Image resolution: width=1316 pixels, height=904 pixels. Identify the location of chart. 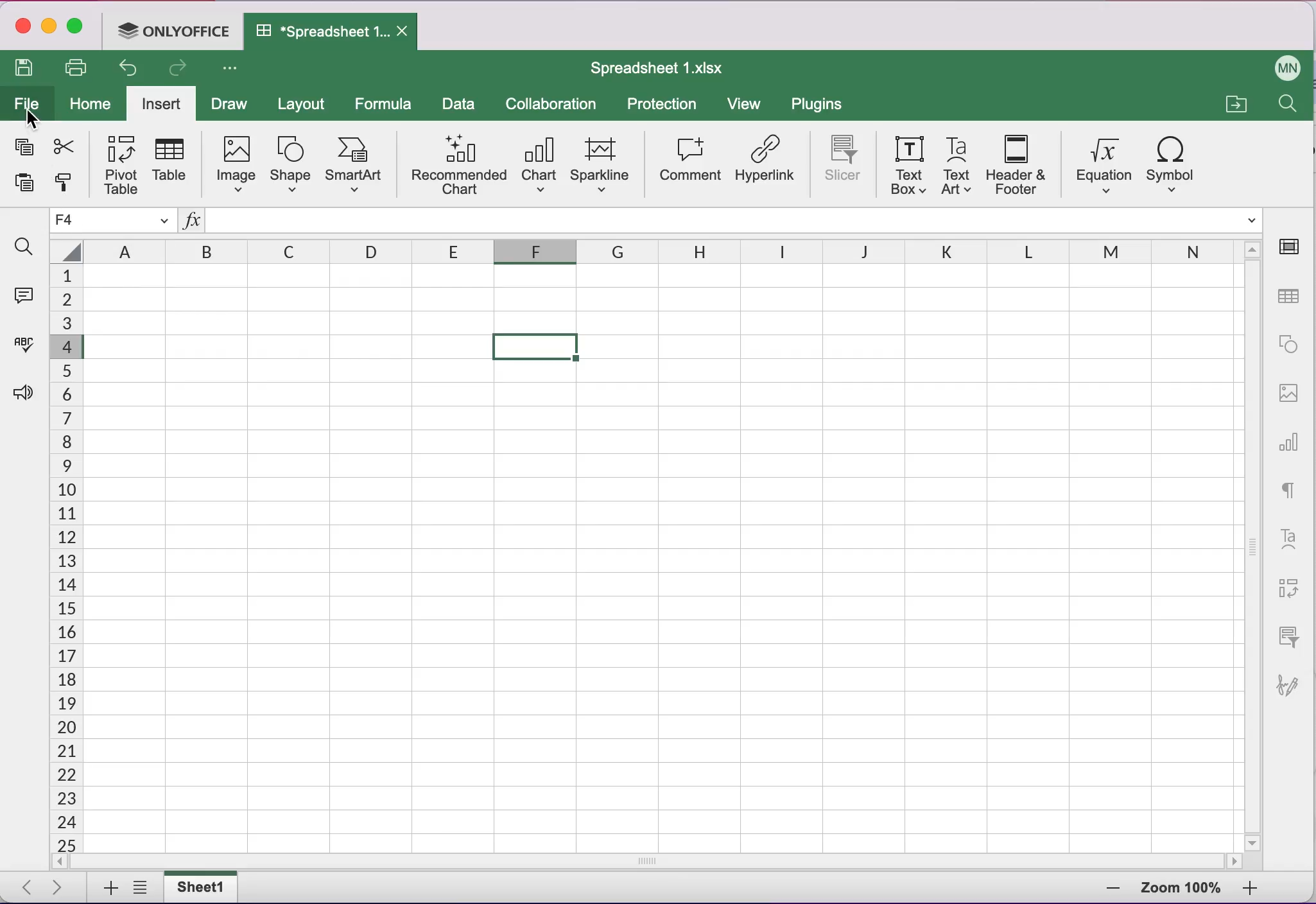
(539, 164).